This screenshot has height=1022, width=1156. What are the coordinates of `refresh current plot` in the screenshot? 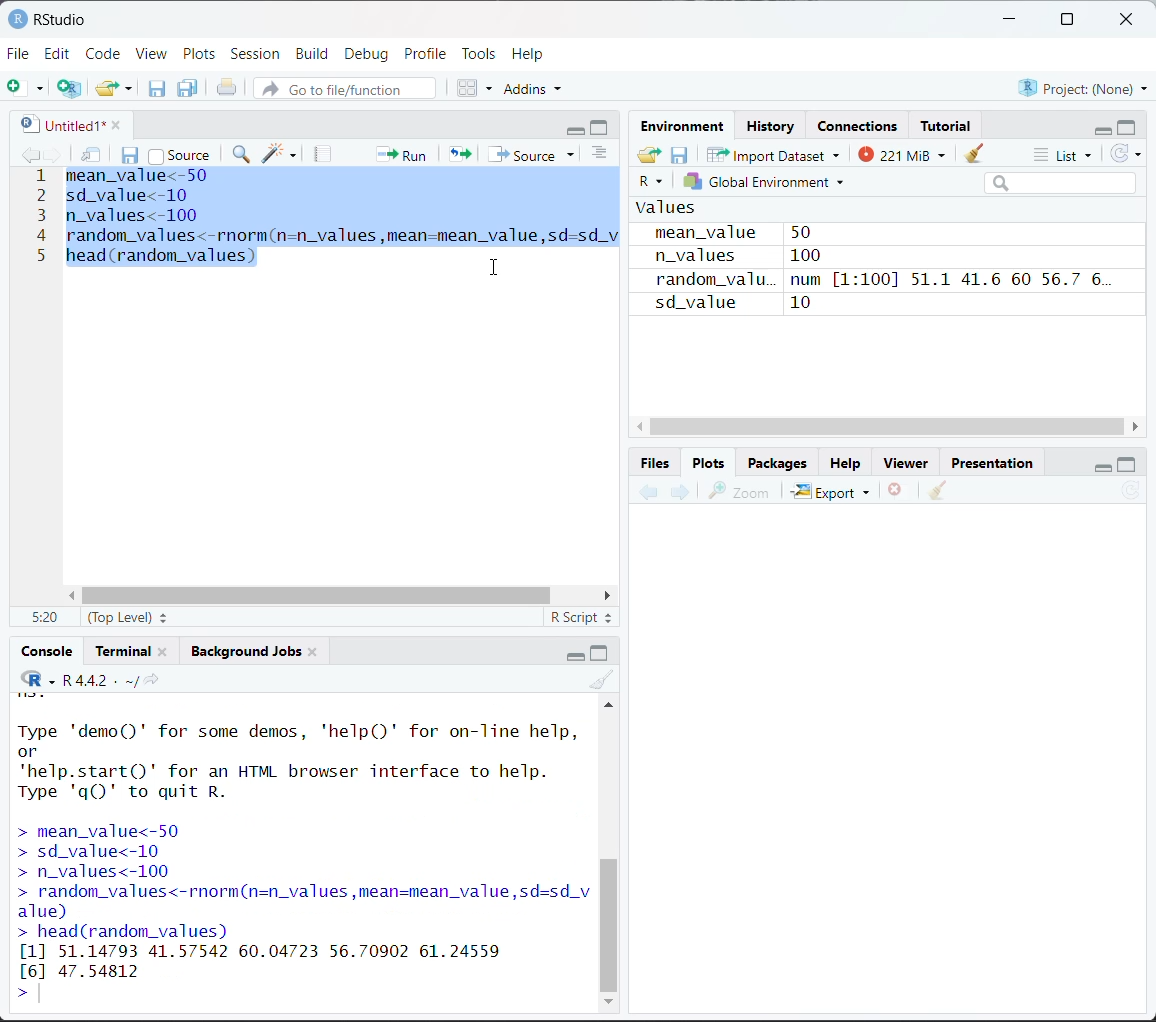 It's located at (1131, 493).